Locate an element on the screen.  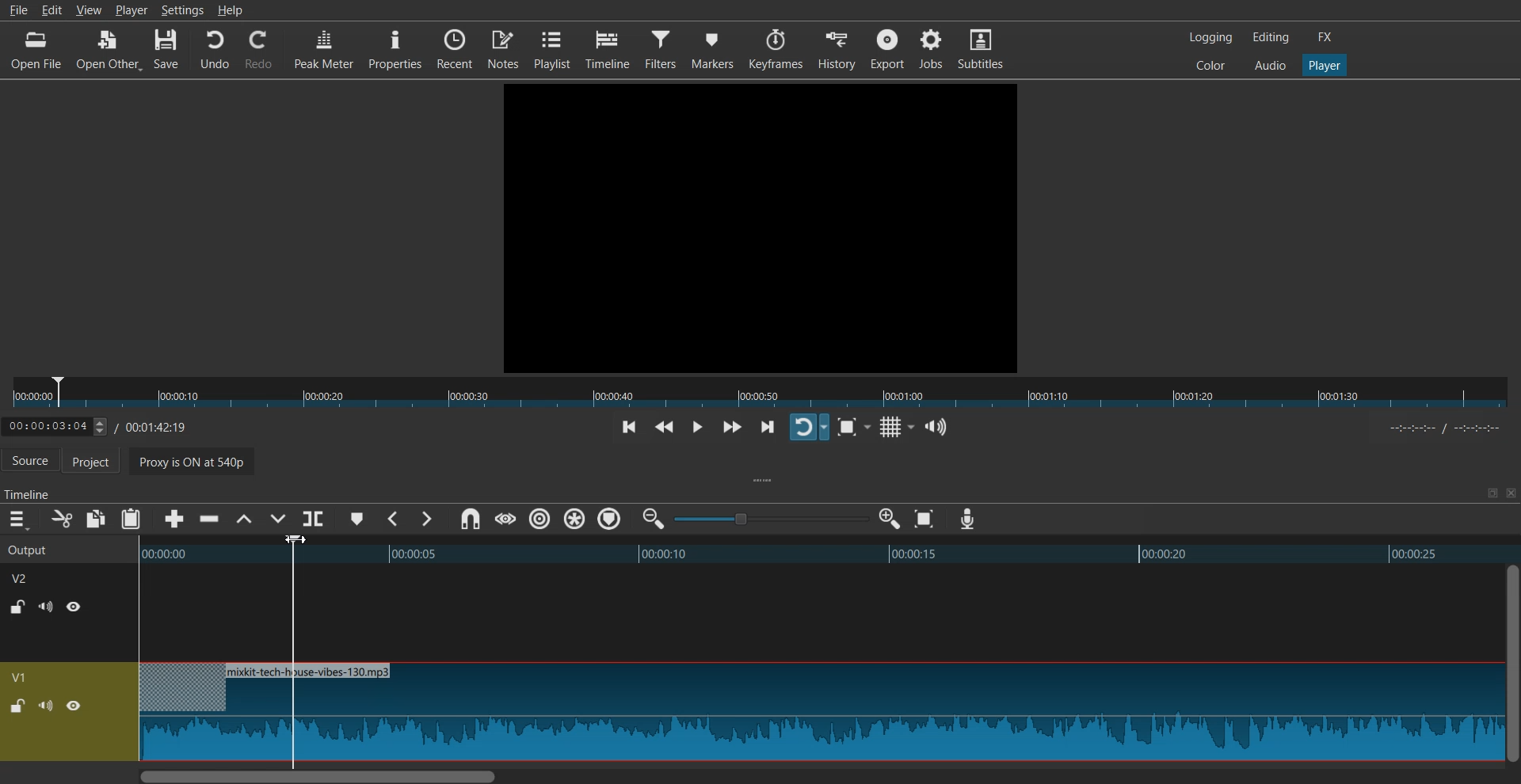
Audio is located at coordinates (1270, 64).